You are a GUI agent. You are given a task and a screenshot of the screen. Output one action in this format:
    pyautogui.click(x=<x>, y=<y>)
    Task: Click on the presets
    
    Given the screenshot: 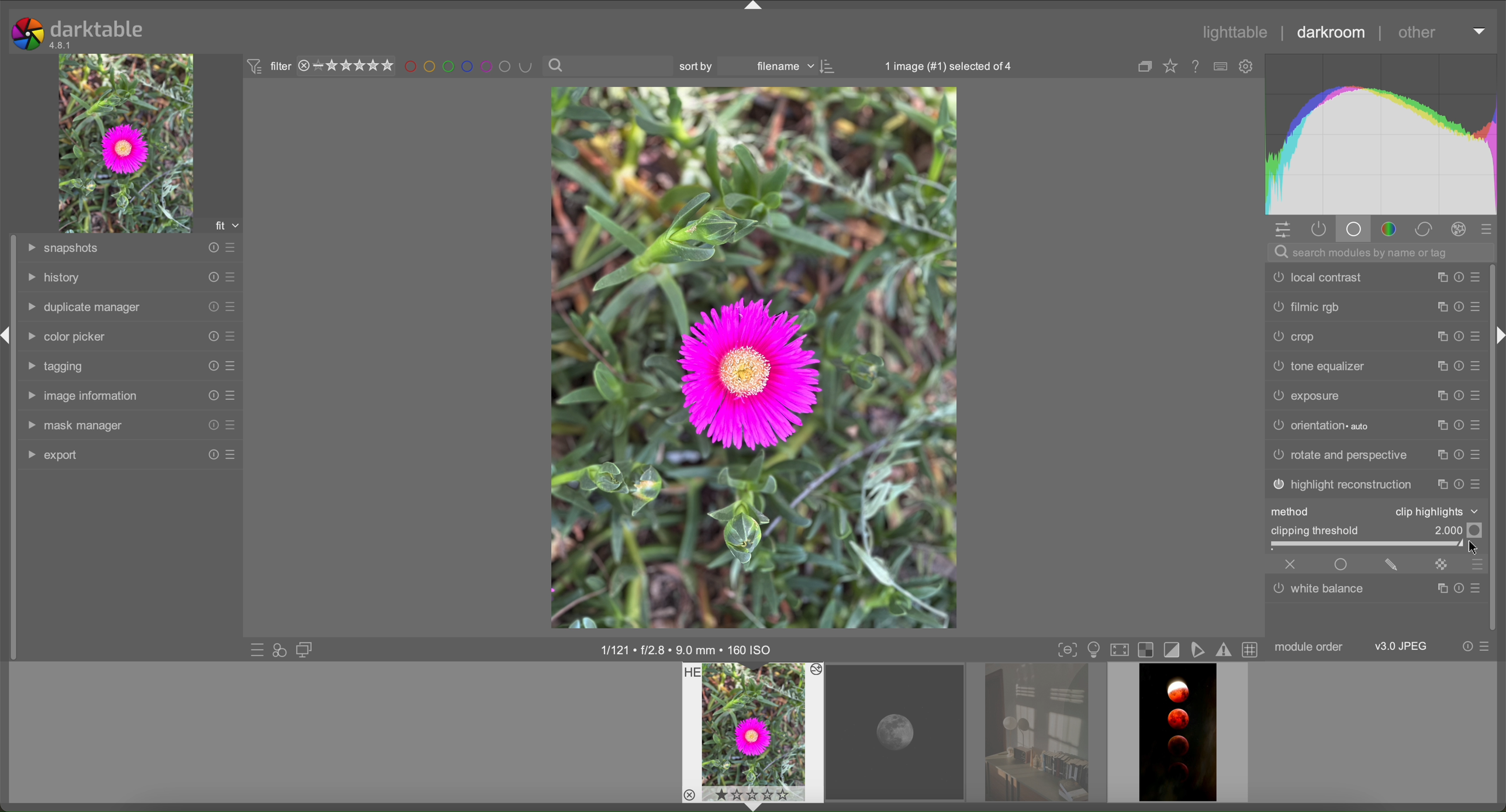 What is the action you would take?
    pyautogui.click(x=231, y=247)
    